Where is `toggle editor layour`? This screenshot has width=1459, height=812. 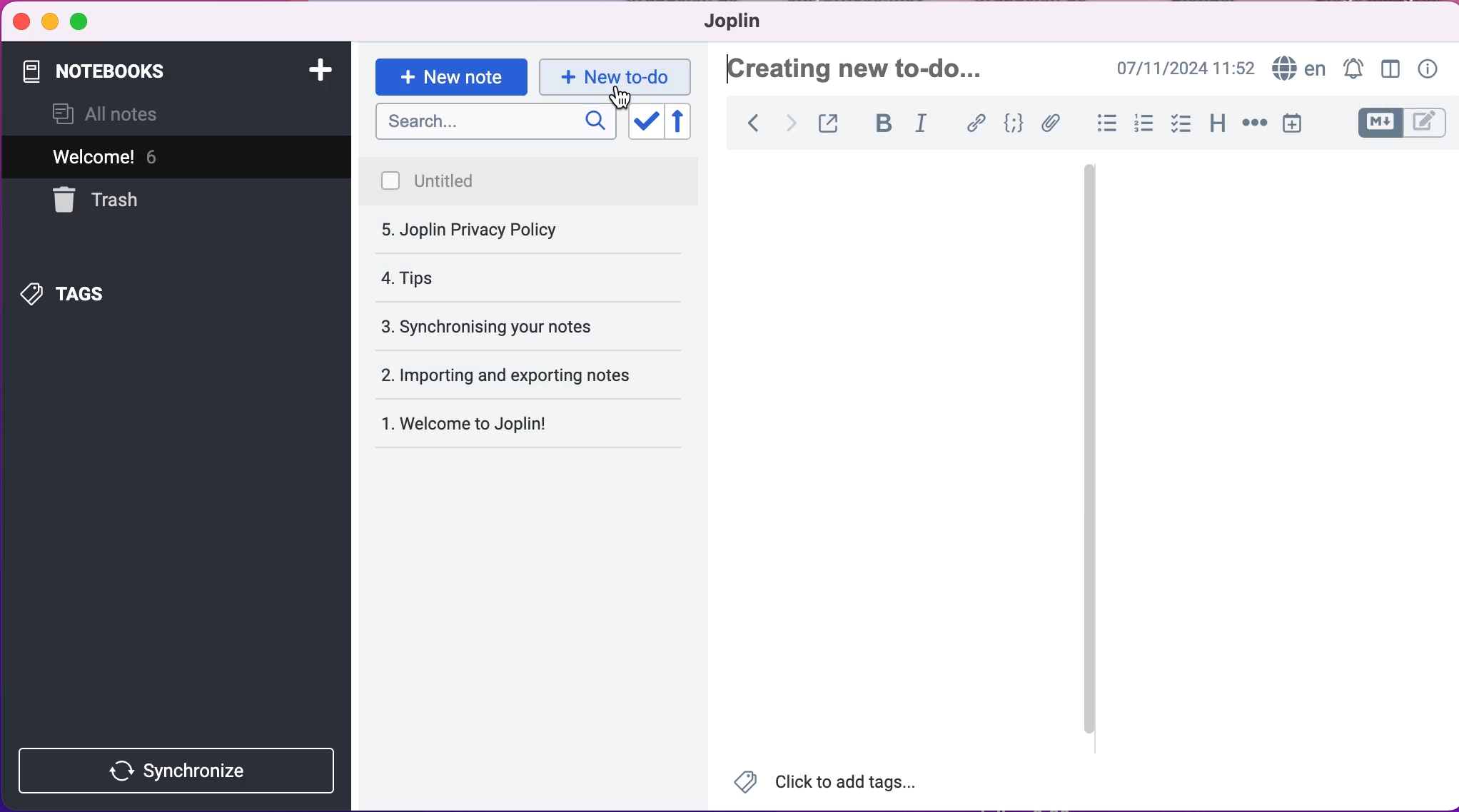
toggle editor layour is located at coordinates (1389, 66).